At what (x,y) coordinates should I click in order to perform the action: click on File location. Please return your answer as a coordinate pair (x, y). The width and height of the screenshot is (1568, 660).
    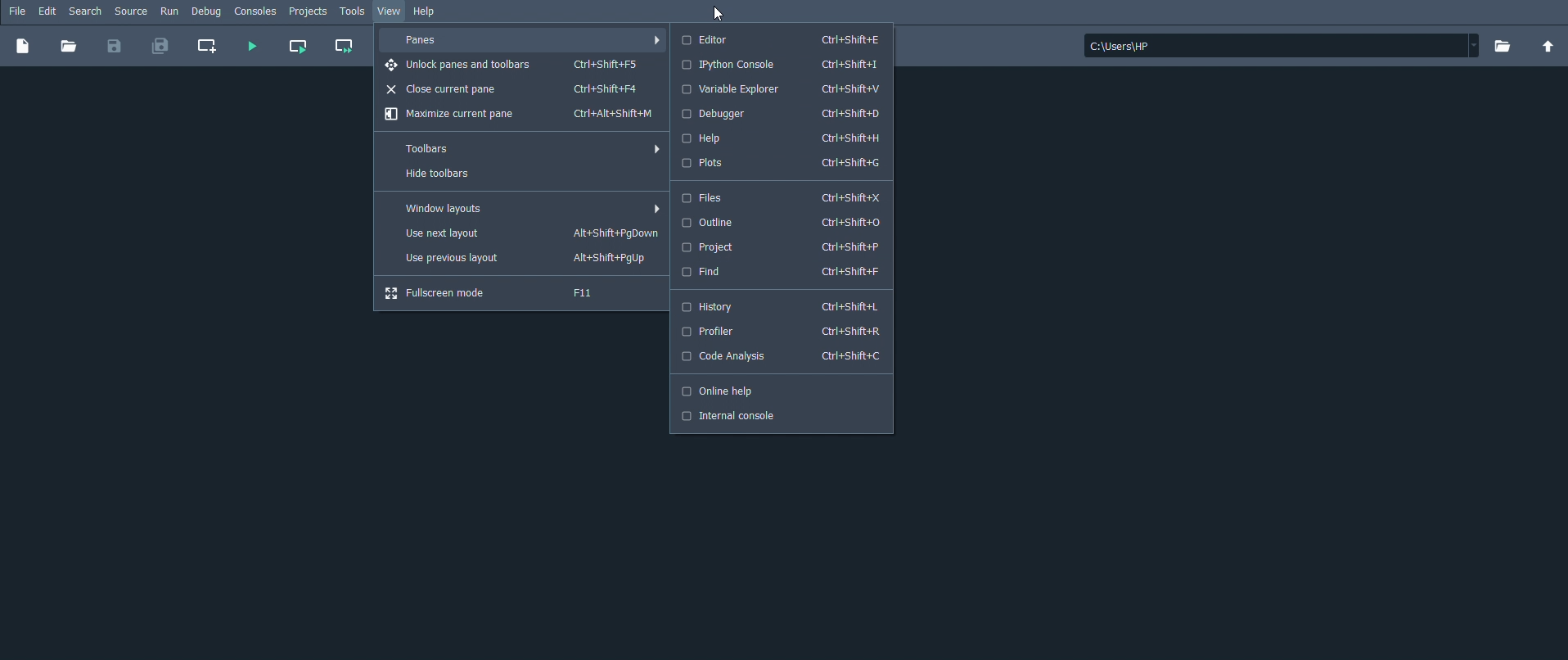
    Looking at the image, I should click on (1282, 45).